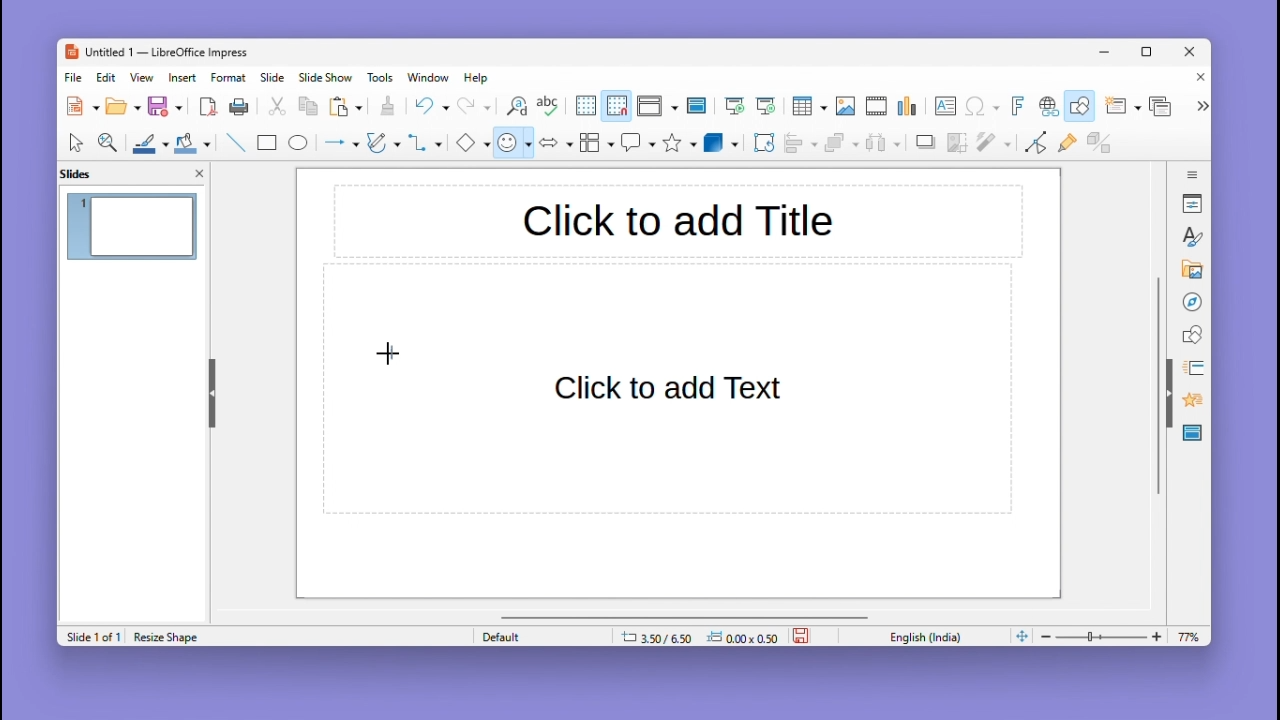  I want to click on Diamond, so click(472, 143).